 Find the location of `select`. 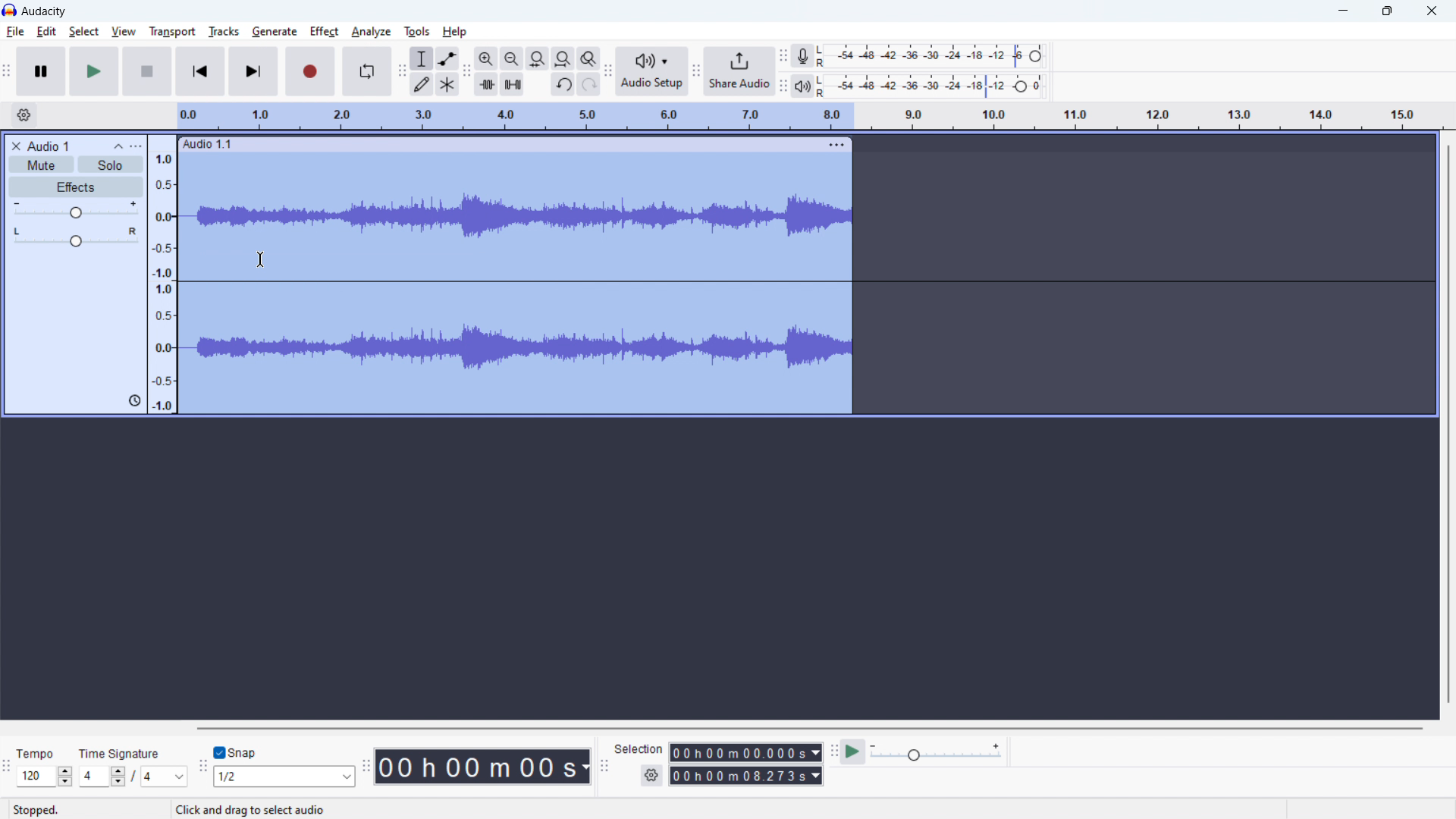

select is located at coordinates (83, 32).